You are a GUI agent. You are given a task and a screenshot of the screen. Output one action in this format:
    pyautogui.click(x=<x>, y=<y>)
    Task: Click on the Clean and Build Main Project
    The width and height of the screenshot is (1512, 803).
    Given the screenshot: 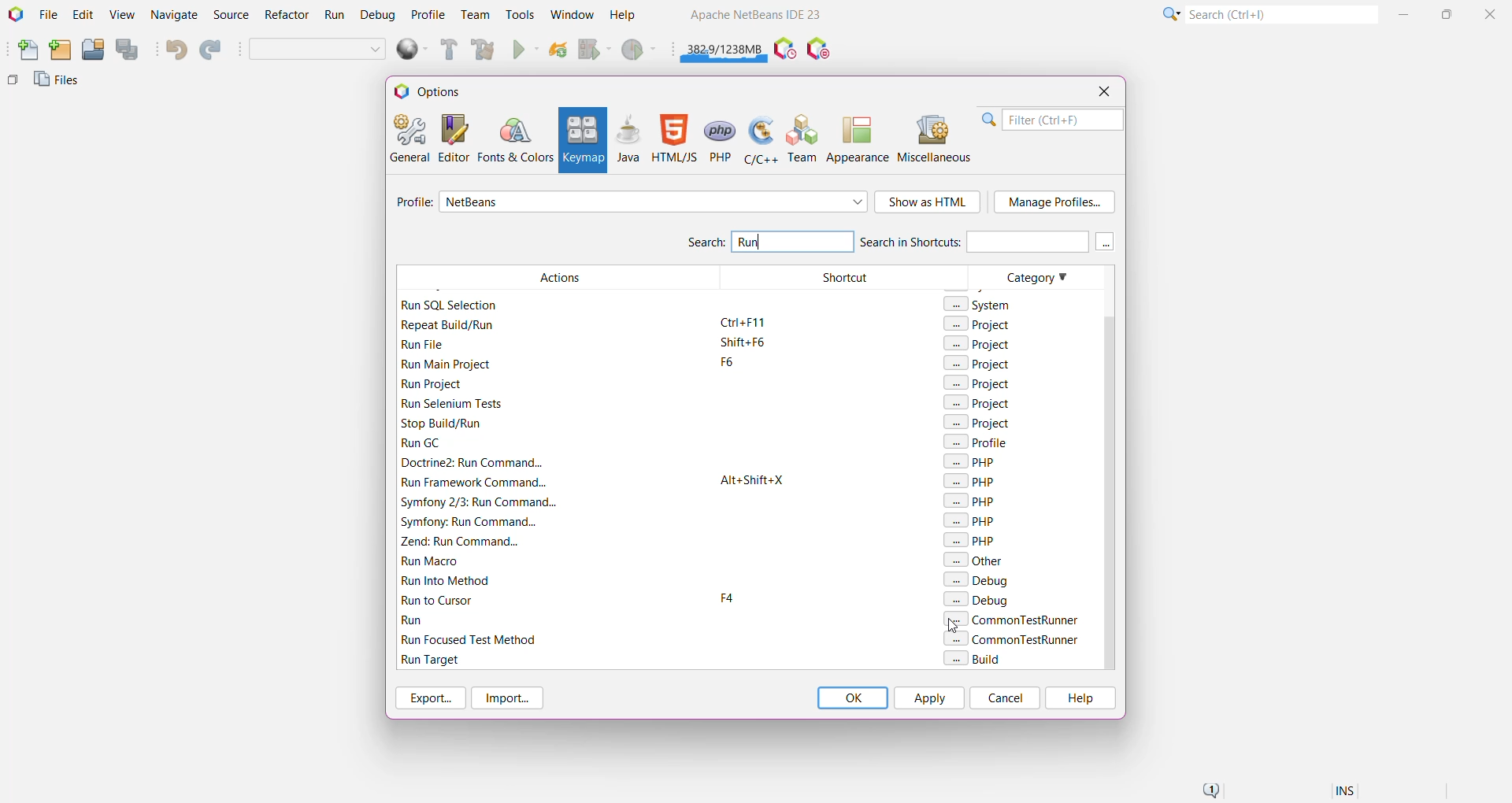 What is the action you would take?
    pyautogui.click(x=486, y=51)
    